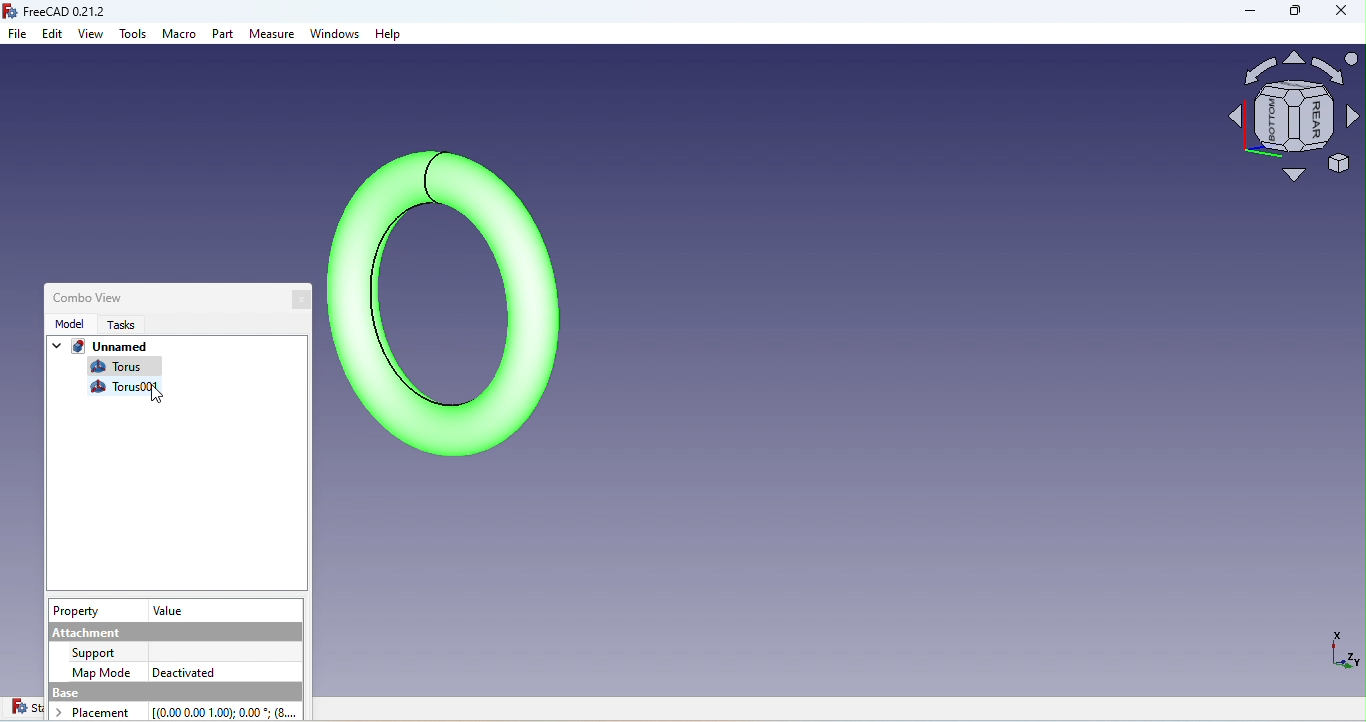 This screenshot has width=1366, height=722. What do you see at coordinates (224, 36) in the screenshot?
I see `Part` at bounding box center [224, 36].